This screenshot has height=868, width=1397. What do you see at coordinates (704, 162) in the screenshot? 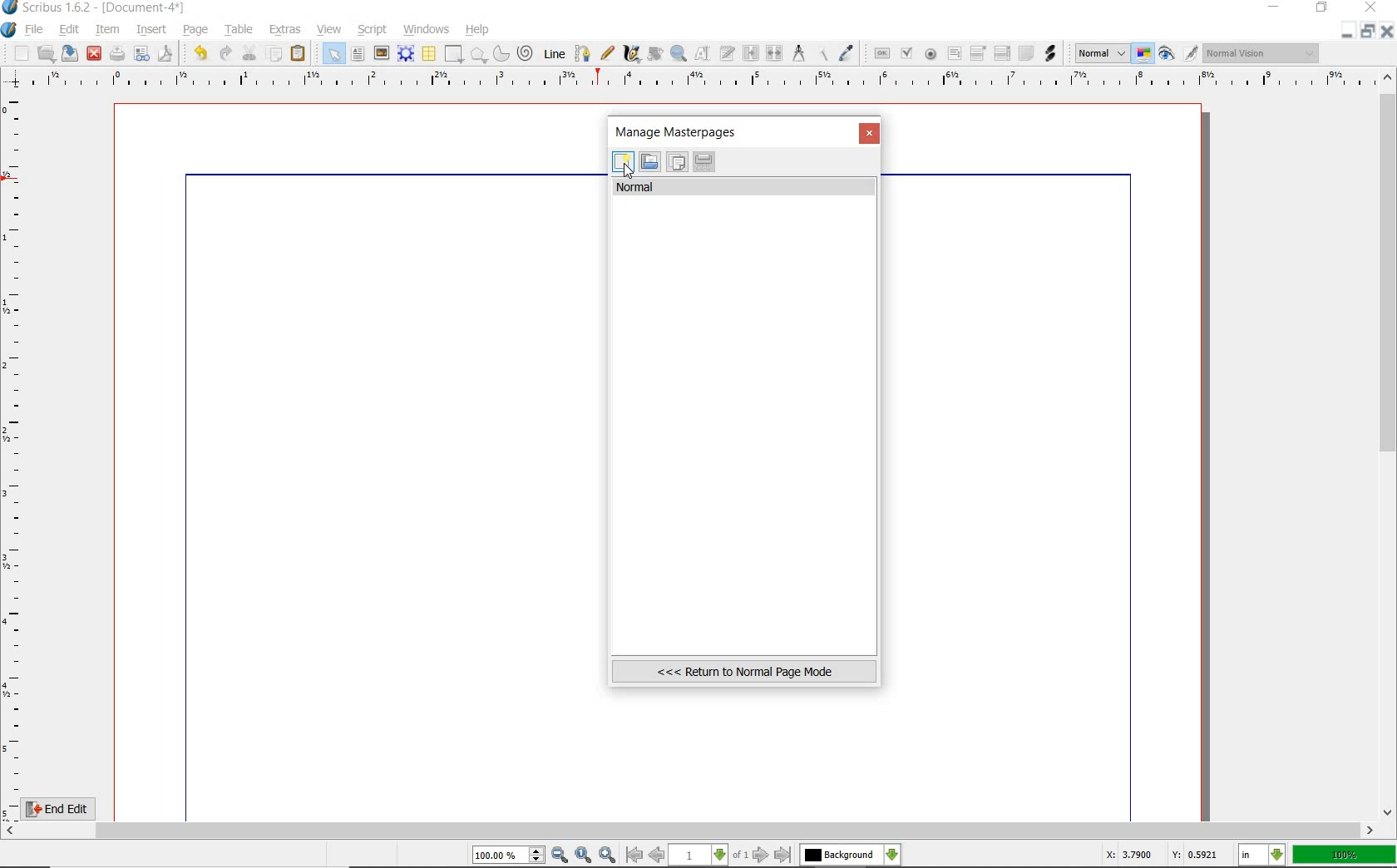
I see `delete the selected masterpages` at bounding box center [704, 162].